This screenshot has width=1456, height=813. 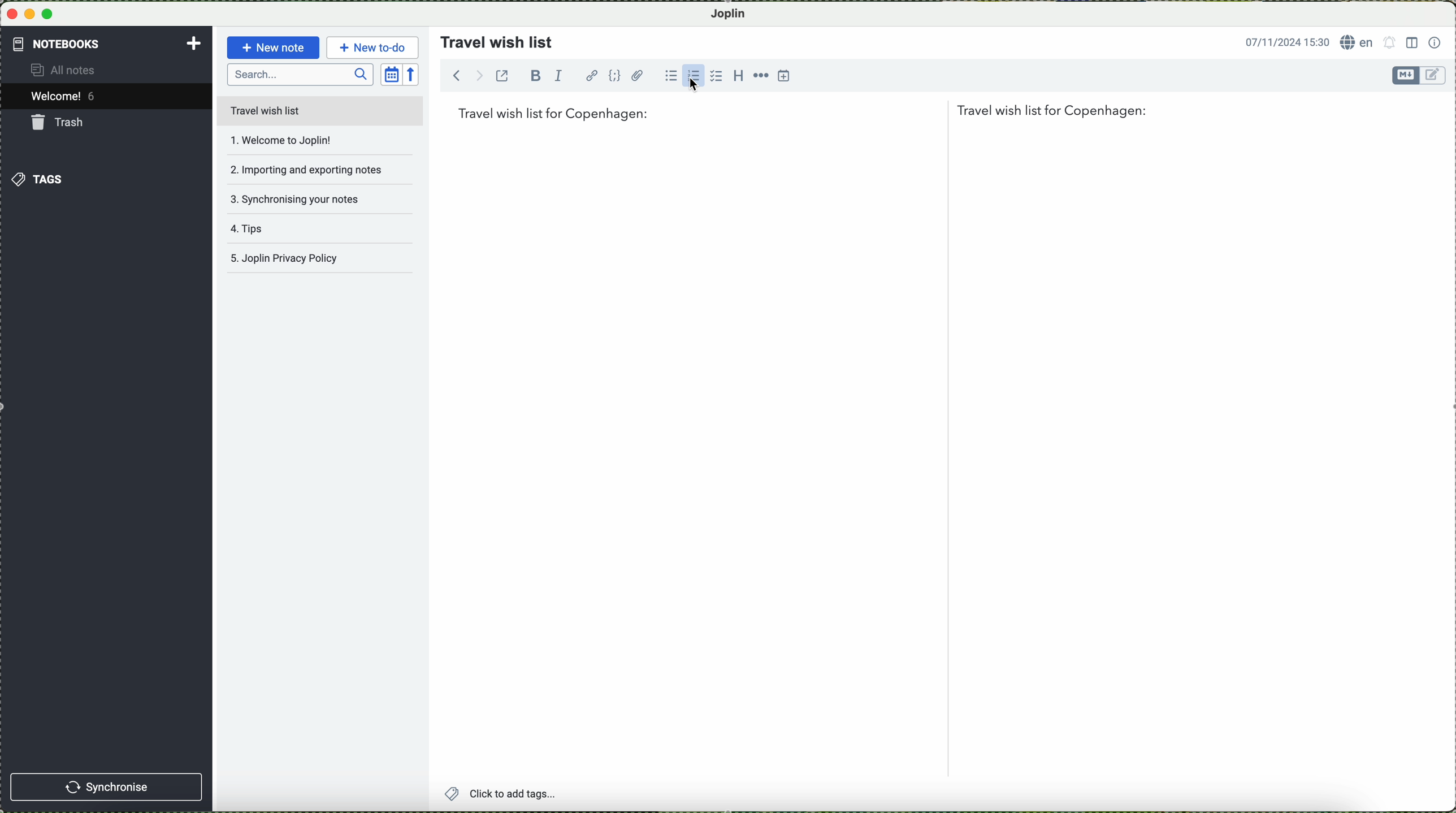 I want to click on minimize, so click(x=31, y=14).